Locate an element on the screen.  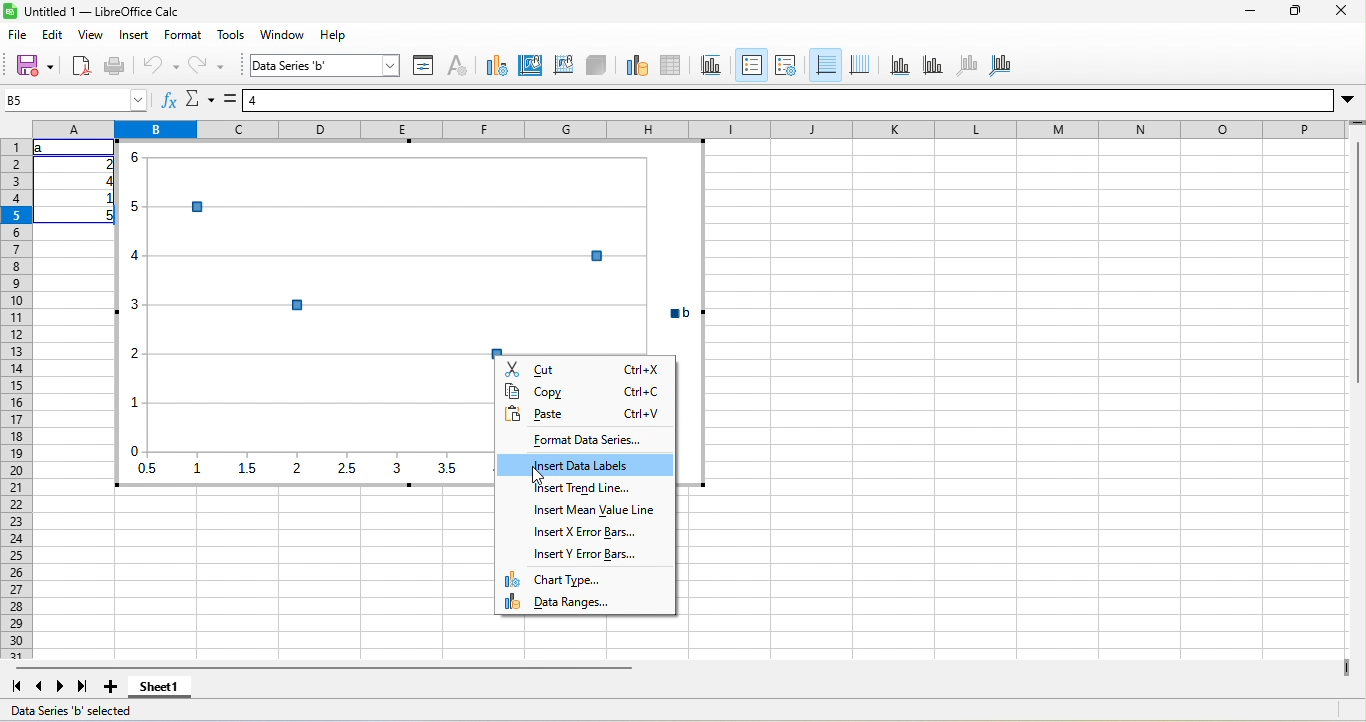
Untitled 1 — LibreOffice Calc is located at coordinates (102, 11).